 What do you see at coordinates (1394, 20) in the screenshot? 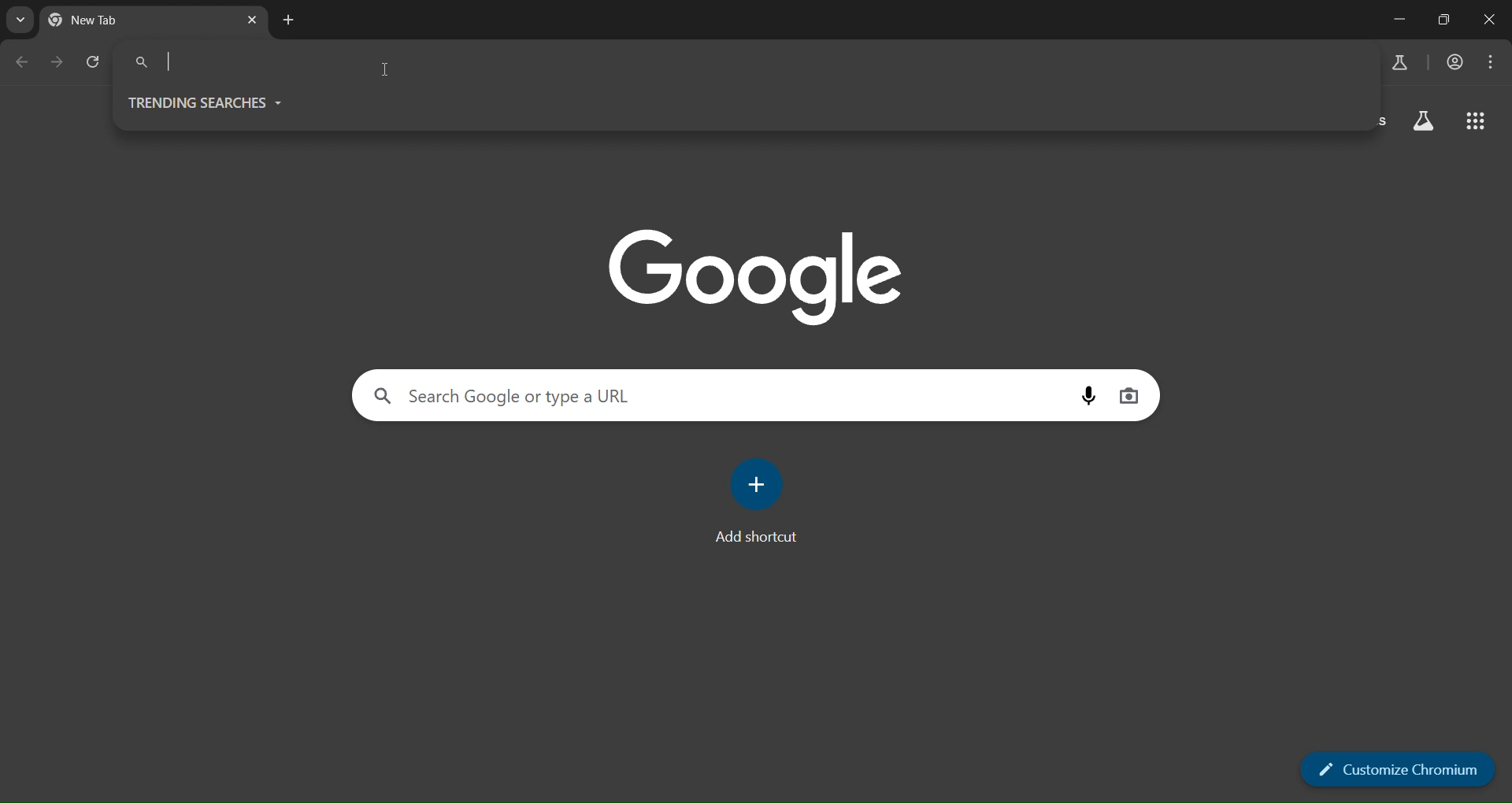
I see `minimize` at bounding box center [1394, 20].